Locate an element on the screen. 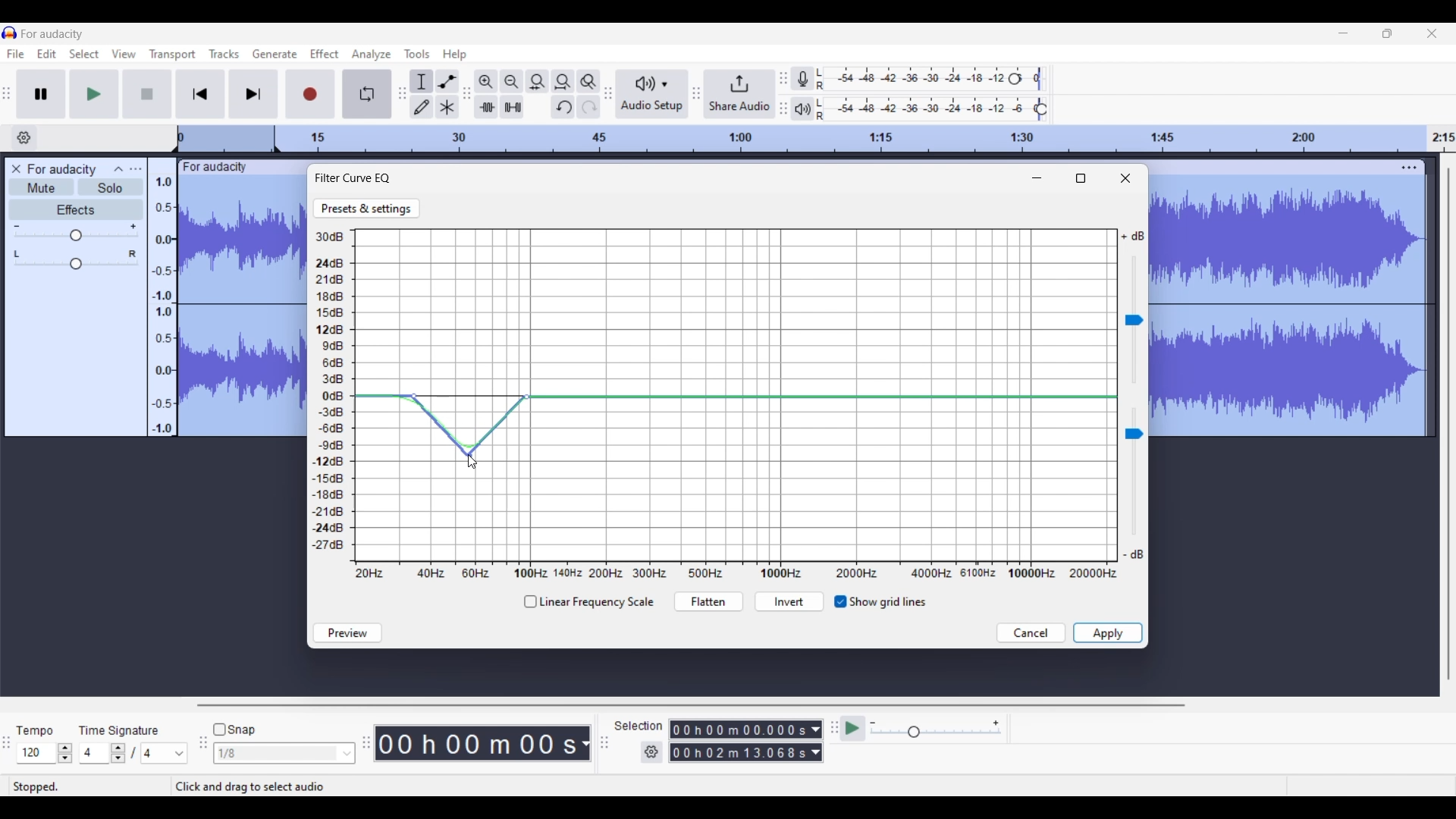 The width and height of the screenshot is (1456, 819). File menu is located at coordinates (15, 55).